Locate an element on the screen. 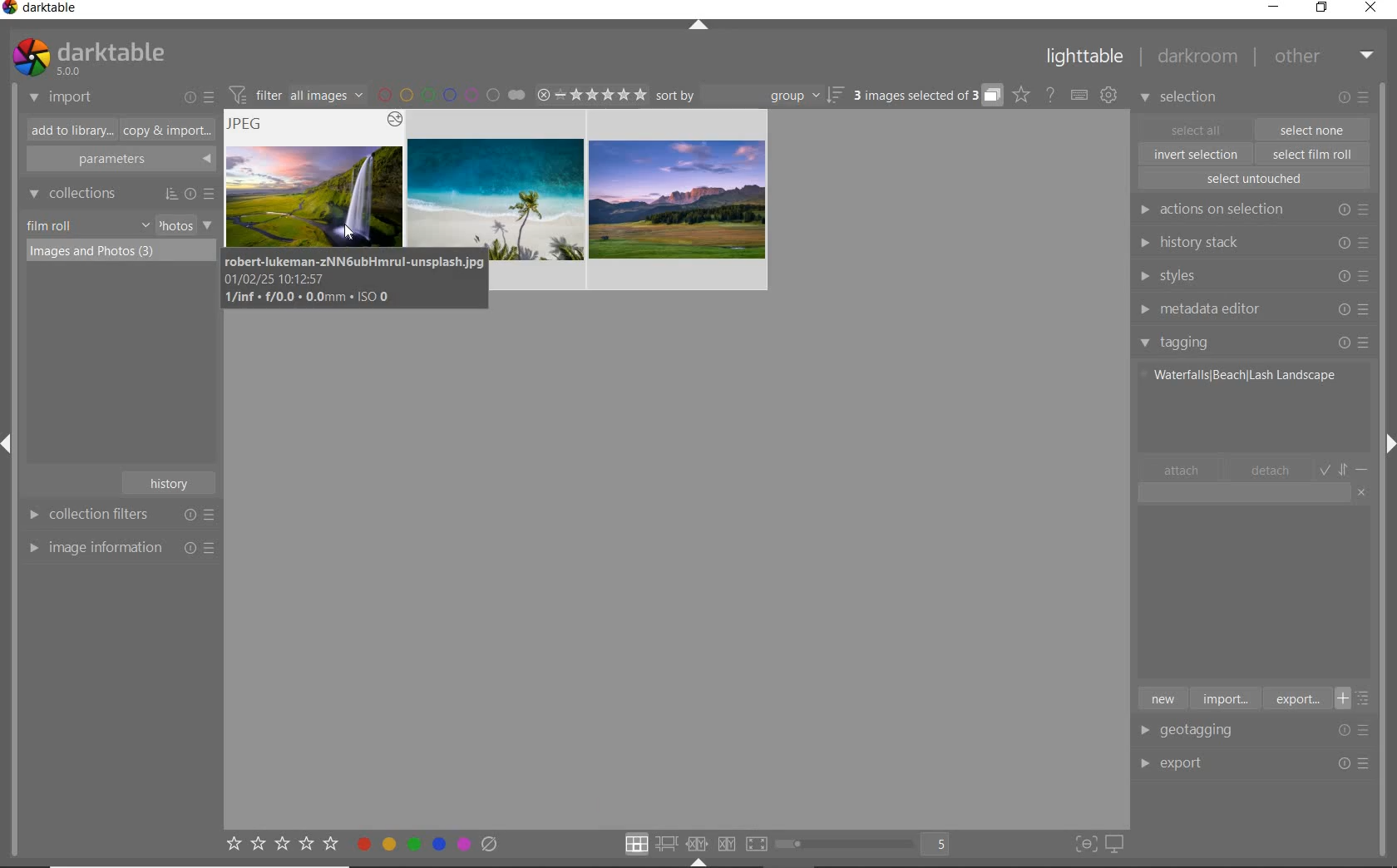 This screenshot has width=1397, height=868. parameters is located at coordinates (119, 160).